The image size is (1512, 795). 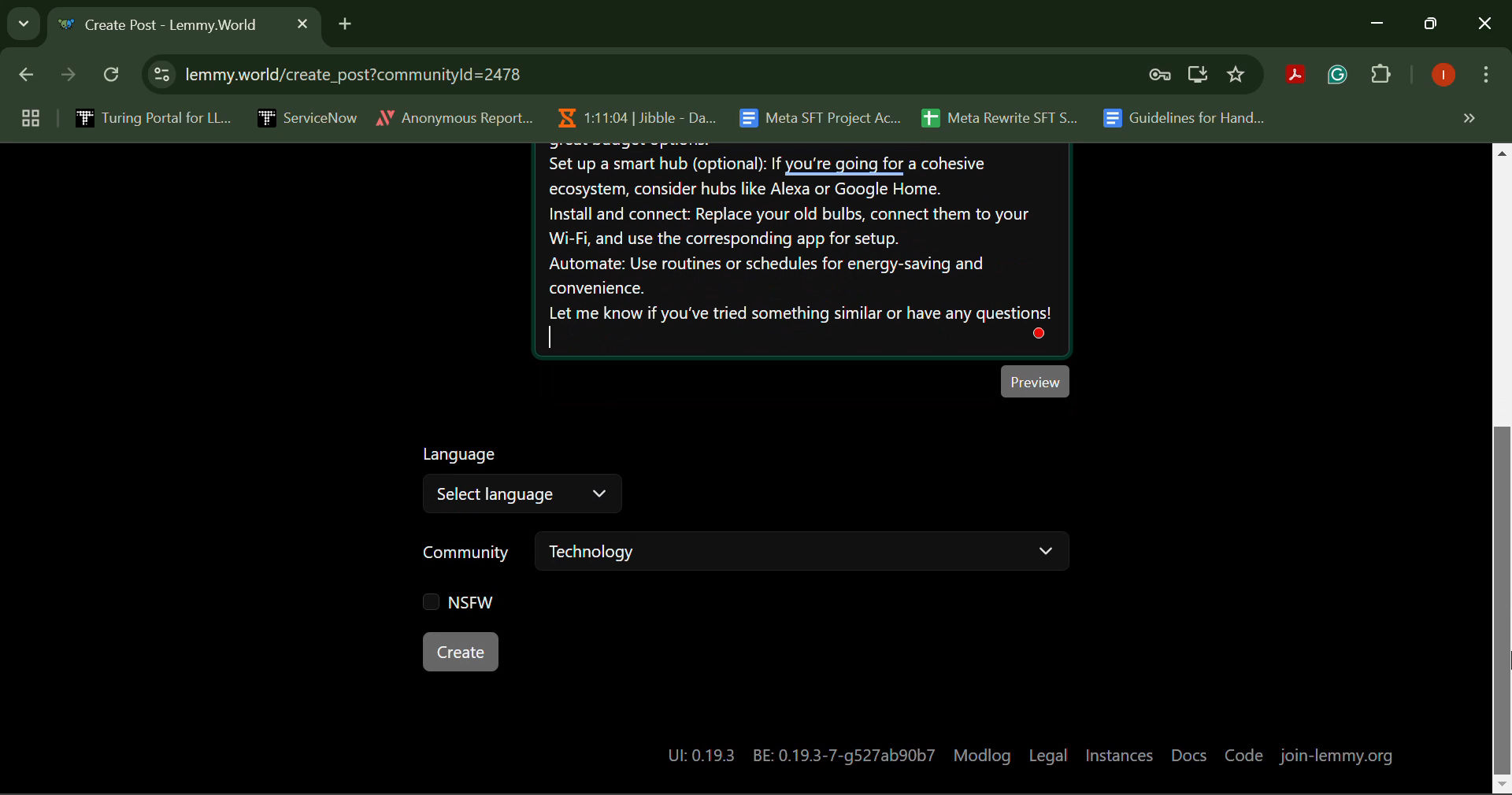 What do you see at coordinates (454, 115) in the screenshot?
I see `Anonymous Report` at bounding box center [454, 115].